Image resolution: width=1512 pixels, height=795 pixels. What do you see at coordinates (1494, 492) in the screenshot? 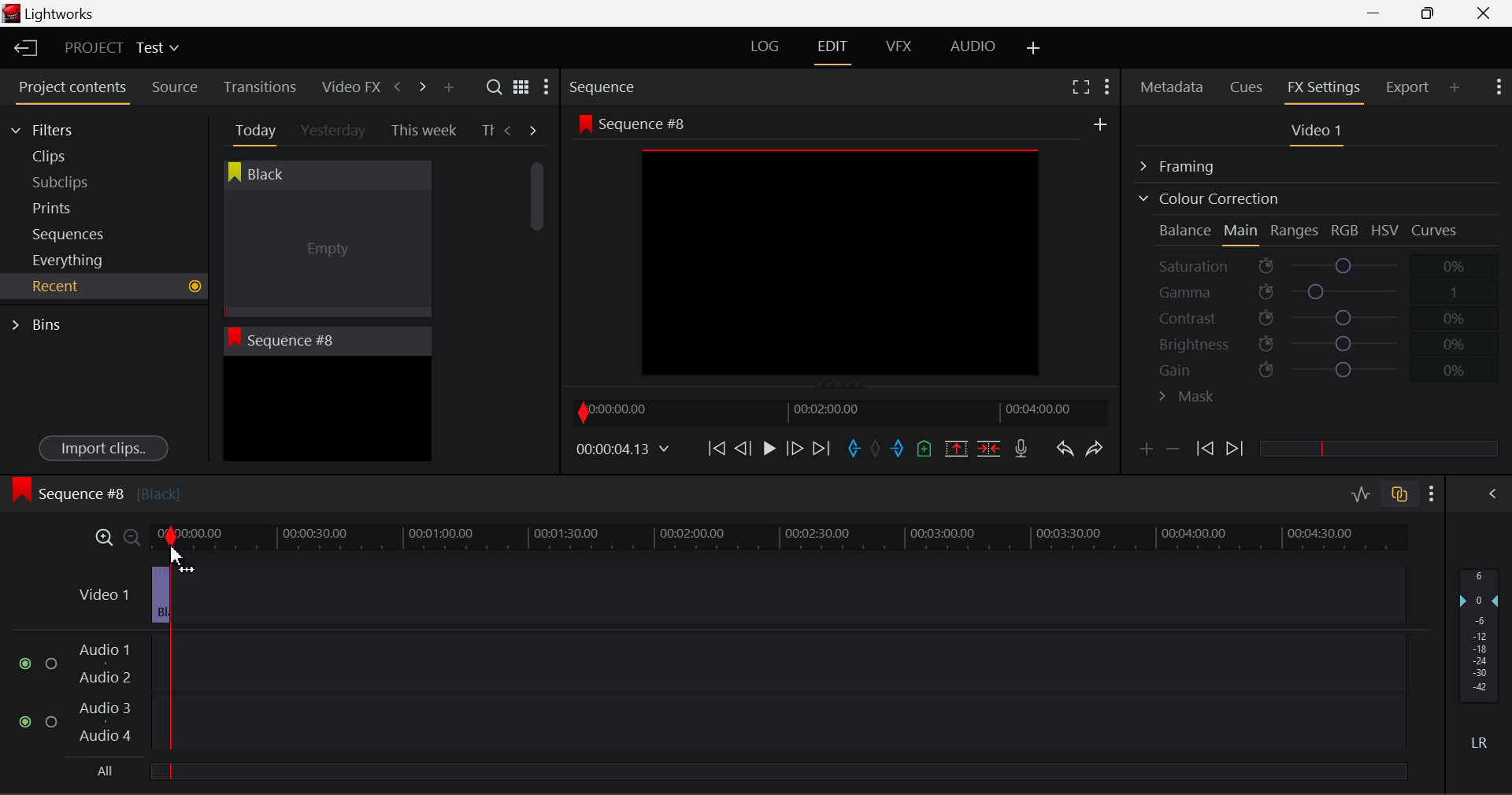
I see `Show Audio Mix` at bounding box center [1494, 492].